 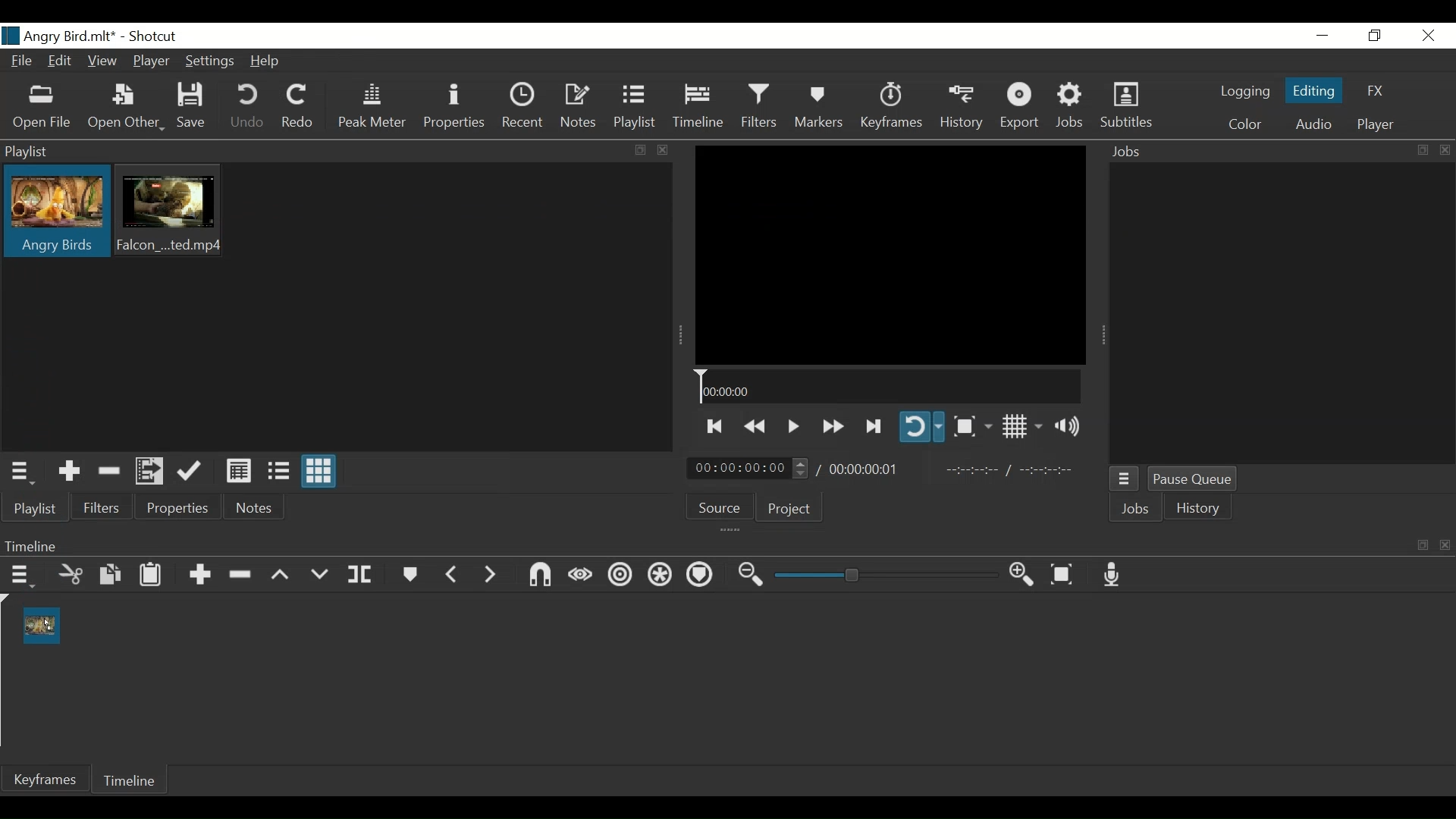 What do you see at coordinates (1023, 108) in the screenshot?
I see `Export` at bounding box center [1023, 108].